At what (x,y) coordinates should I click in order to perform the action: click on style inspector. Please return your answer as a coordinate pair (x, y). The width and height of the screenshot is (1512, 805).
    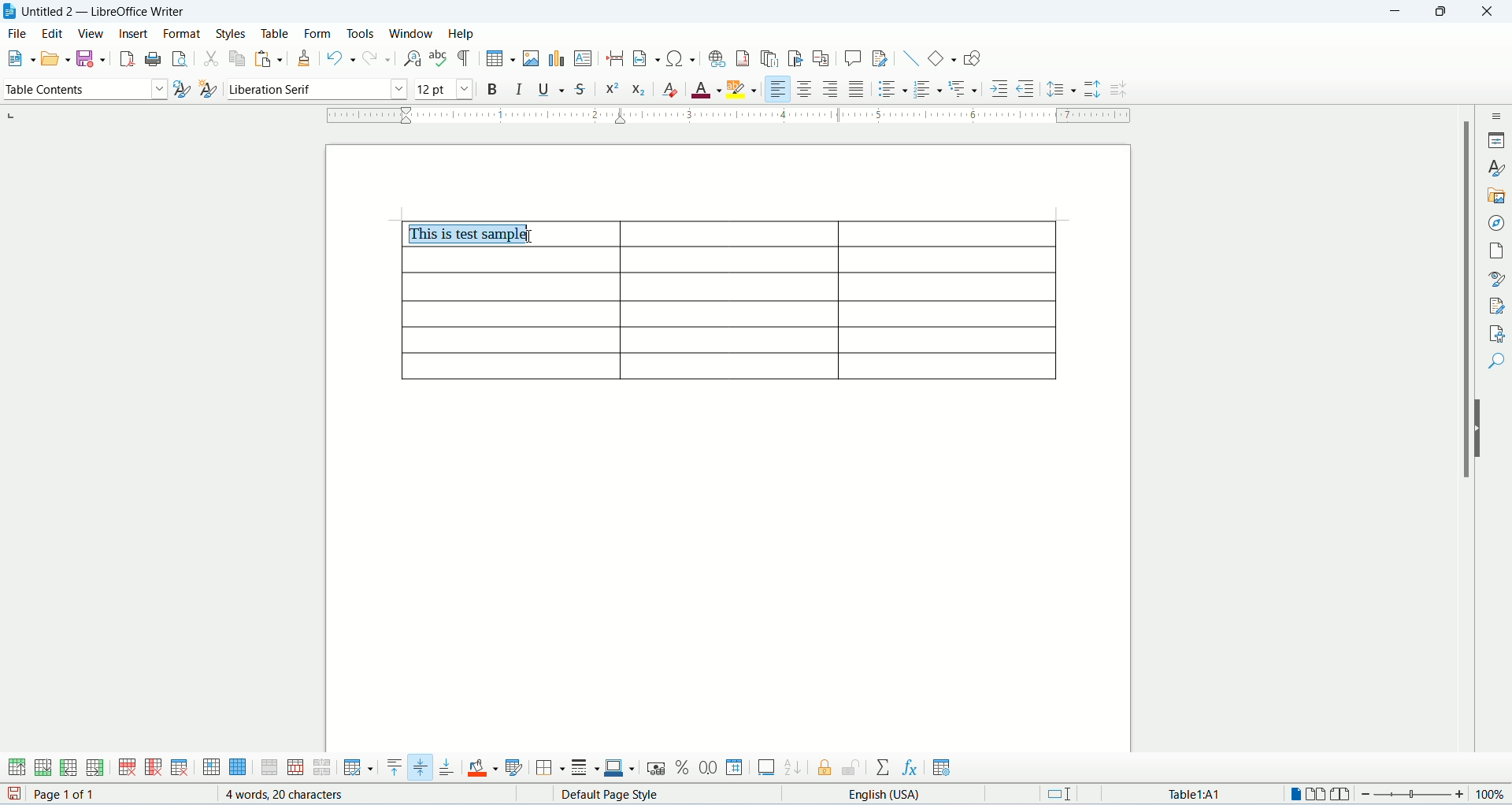
    Looking at the image, I should click on (1498, 278).